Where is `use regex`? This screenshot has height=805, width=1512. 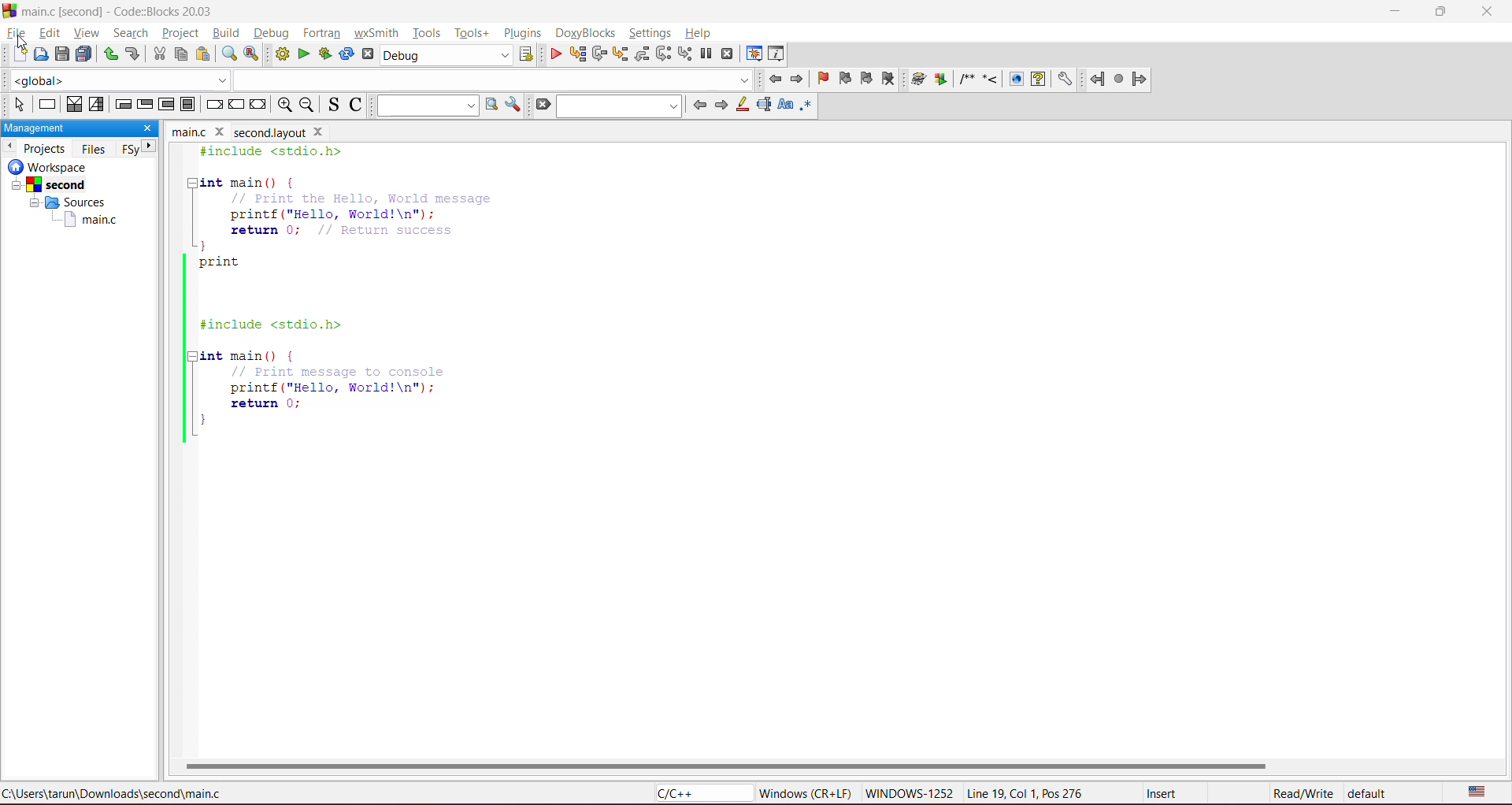
use regex is located at coordinates (807, 108).